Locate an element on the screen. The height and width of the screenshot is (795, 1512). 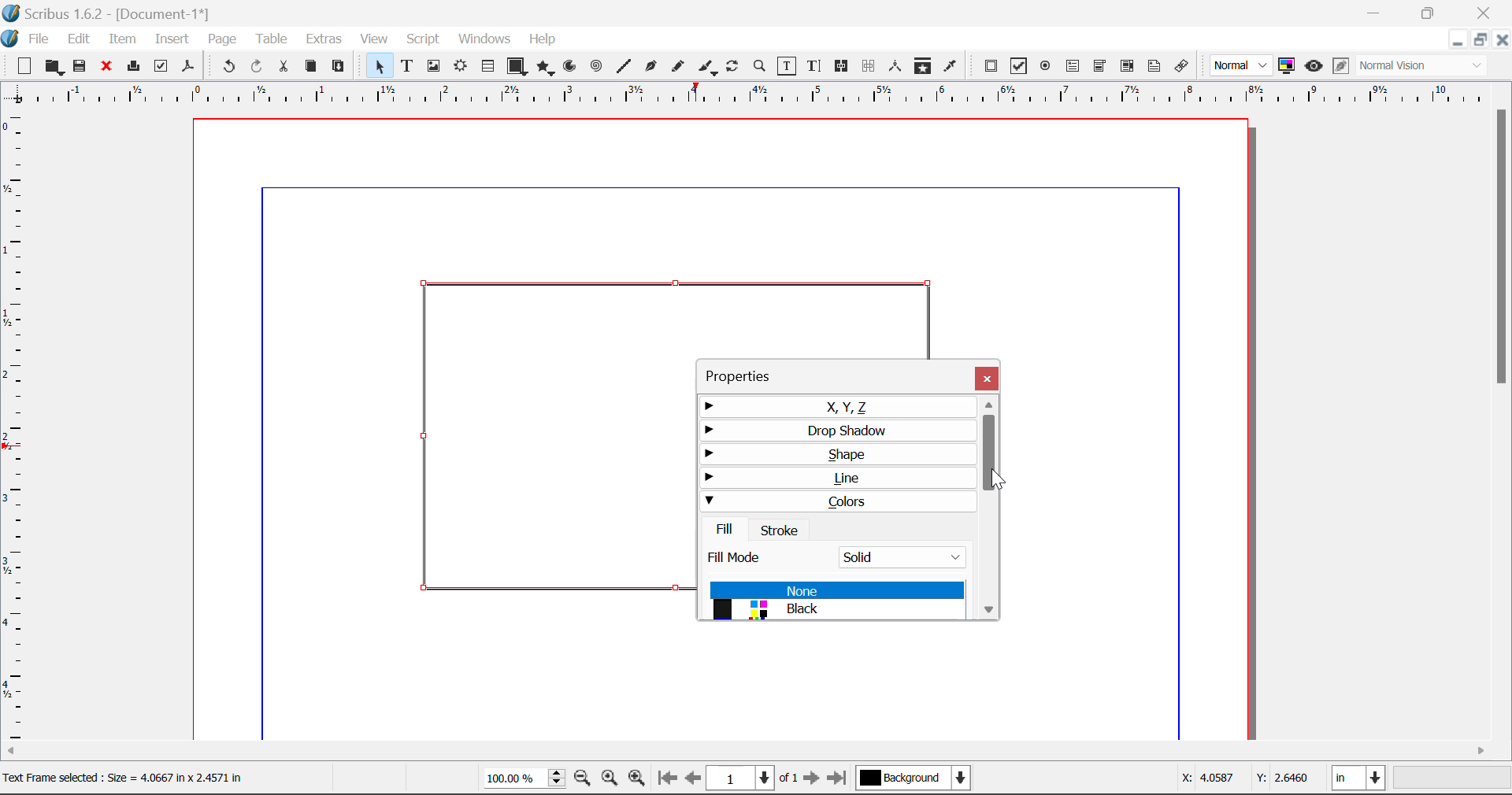
Zoom 100% is located at coordinates (524, 779).